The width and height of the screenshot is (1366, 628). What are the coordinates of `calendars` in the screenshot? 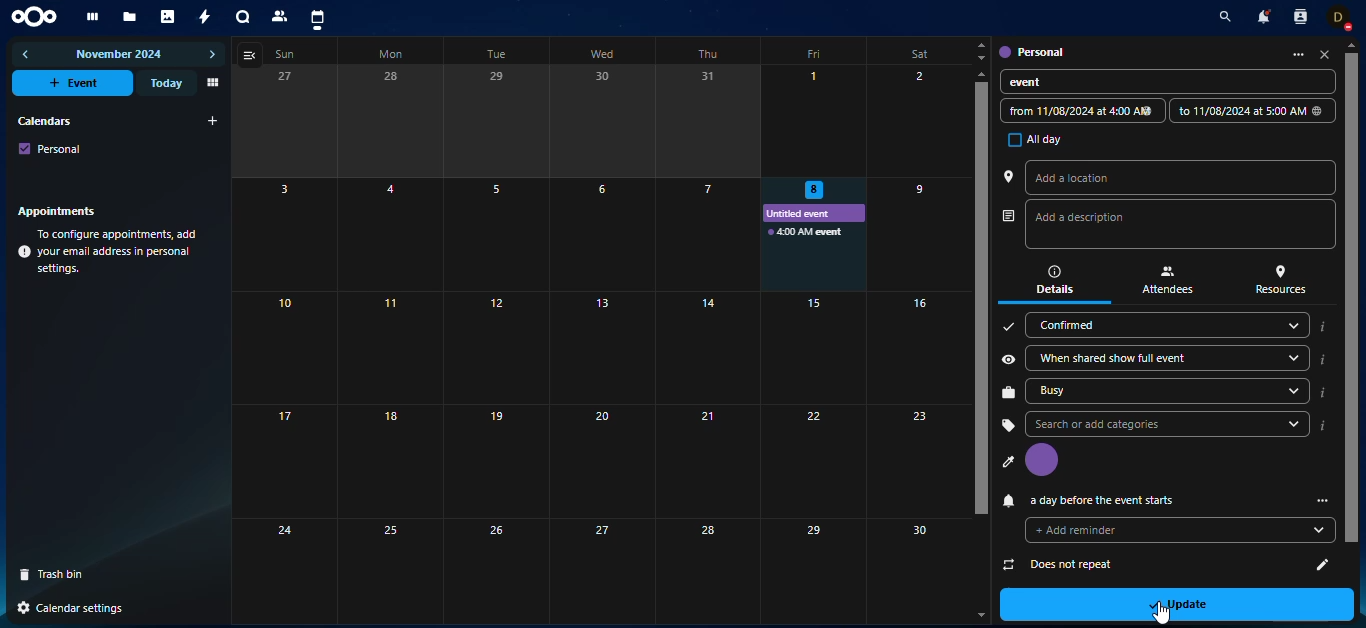 It's located at (43, 120).